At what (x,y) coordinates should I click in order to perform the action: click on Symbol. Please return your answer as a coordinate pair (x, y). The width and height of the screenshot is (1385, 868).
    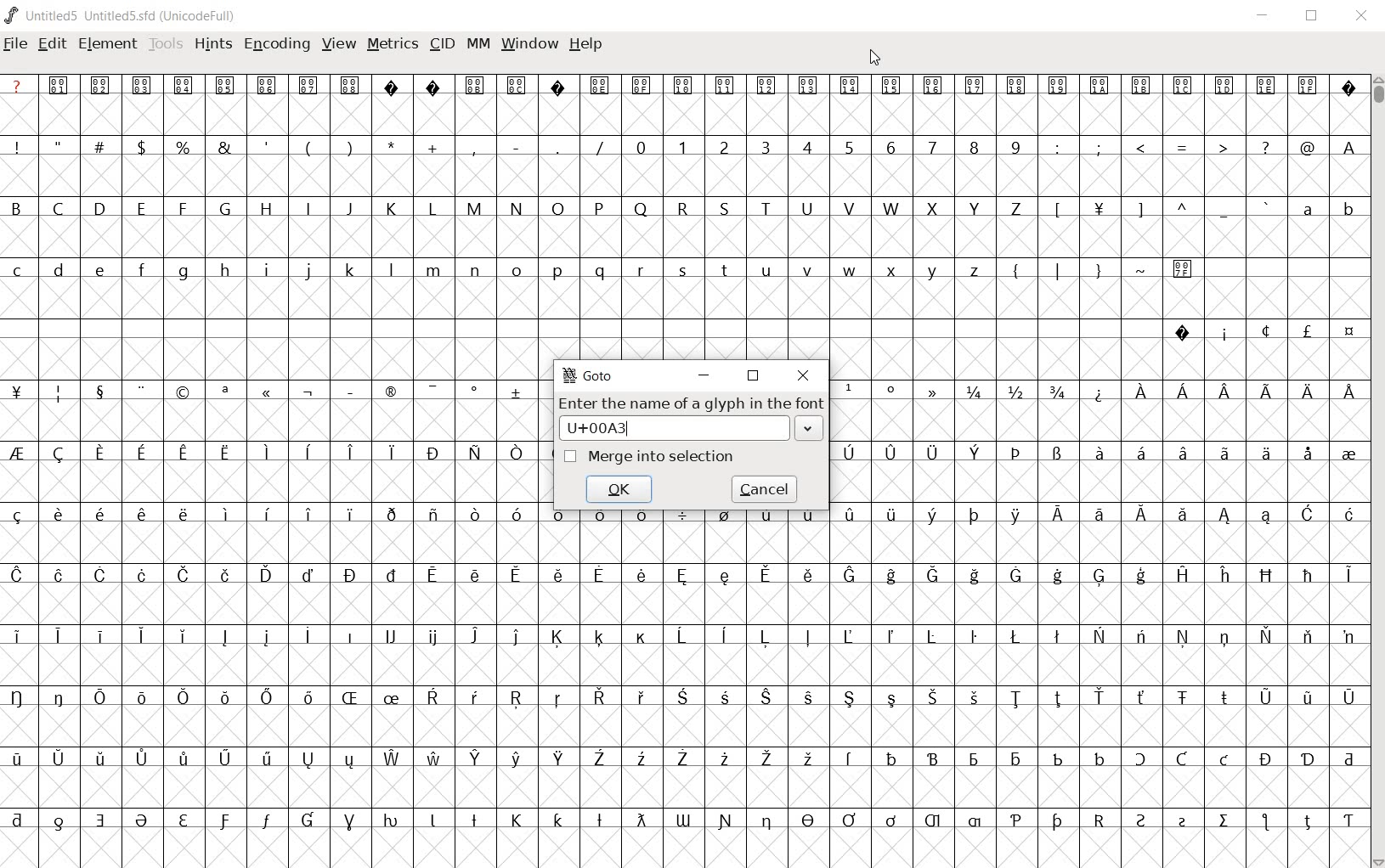
    Looking at the image, I should click on (974, 576).